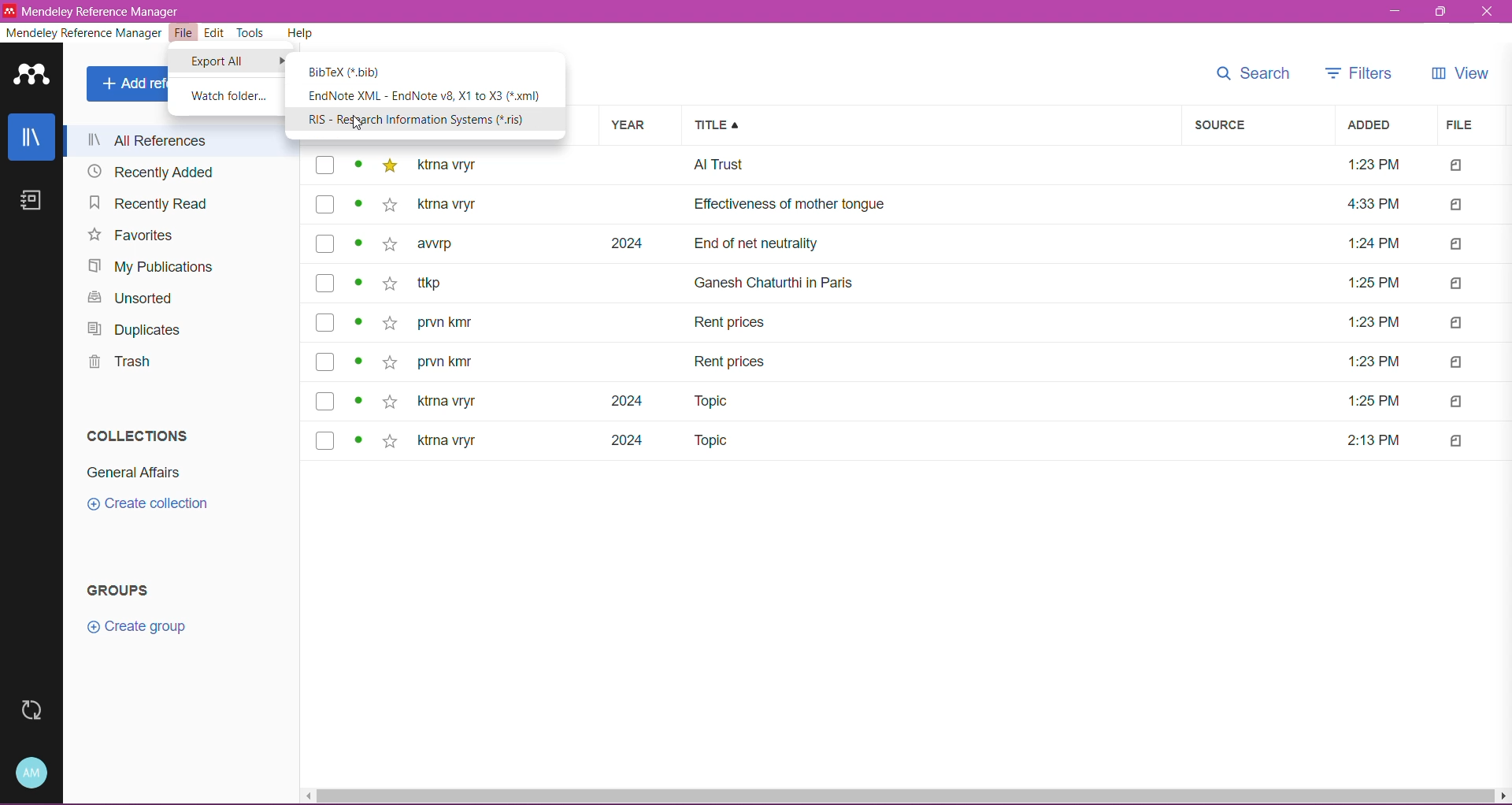  Describe the element at coordinates (216, 33) in the screenshot. I see `Edit` at that location.